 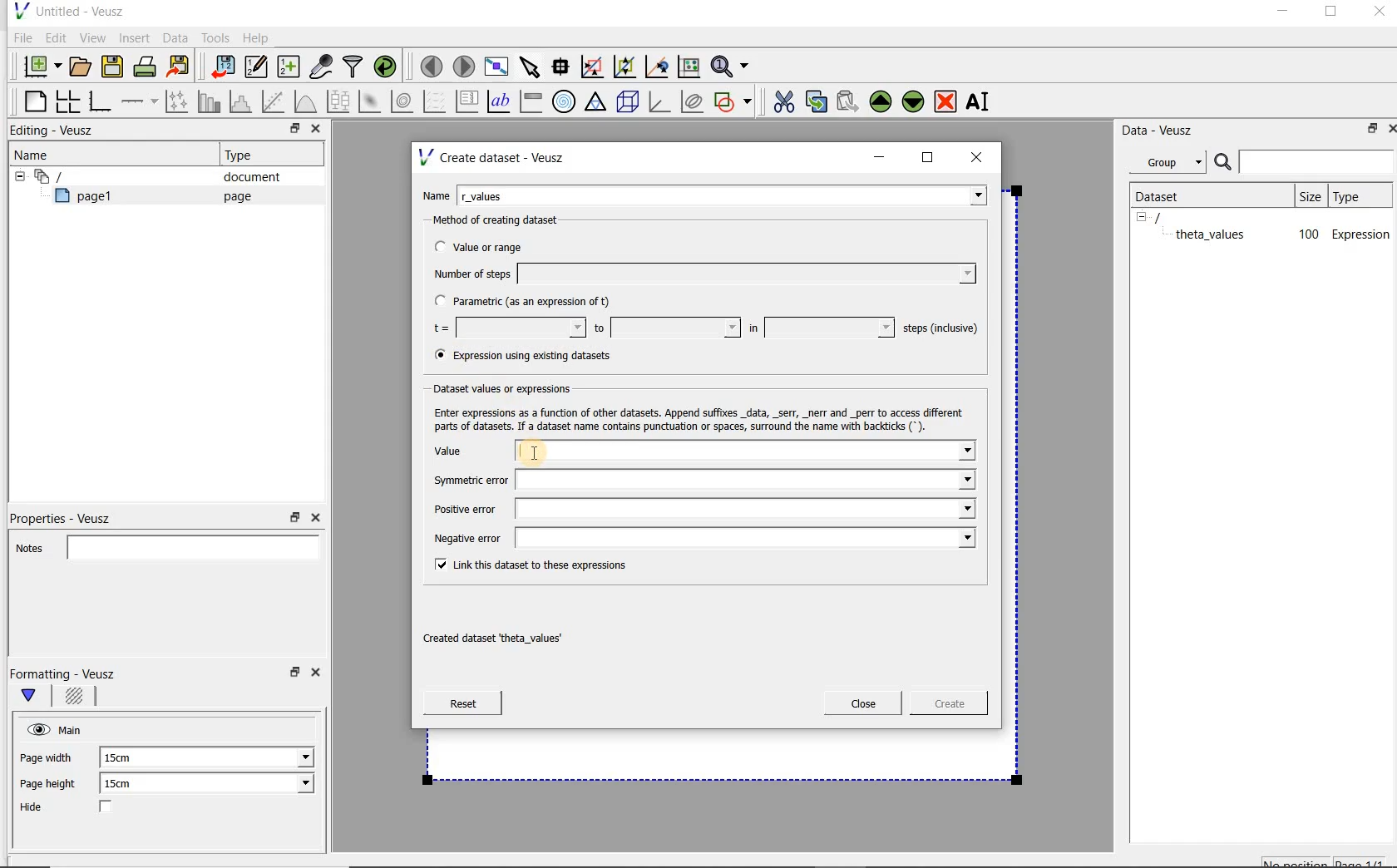 I want to click on open a document, so click(x=82, y=65).